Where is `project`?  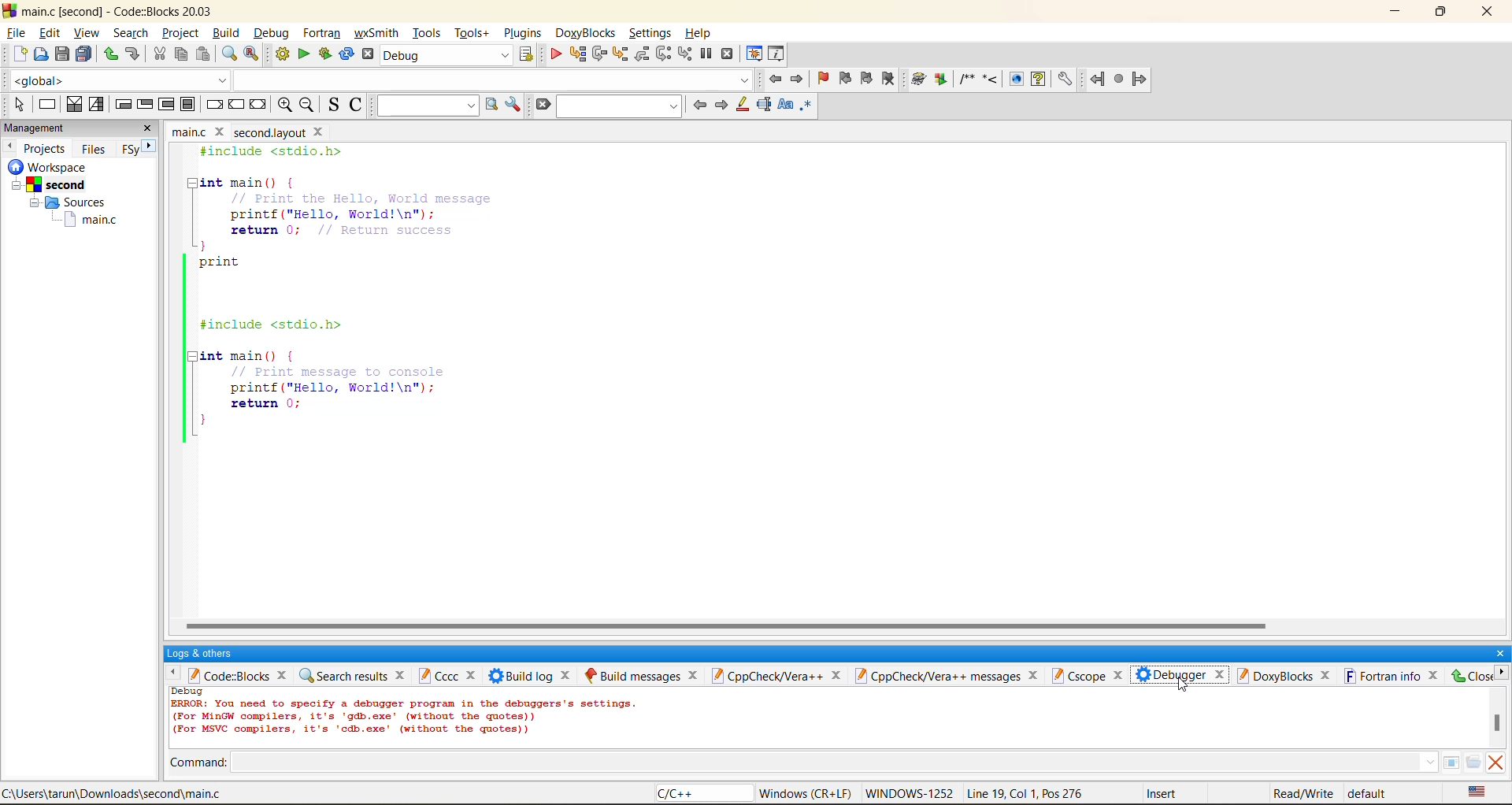 project is located at coordinates (179, 34).